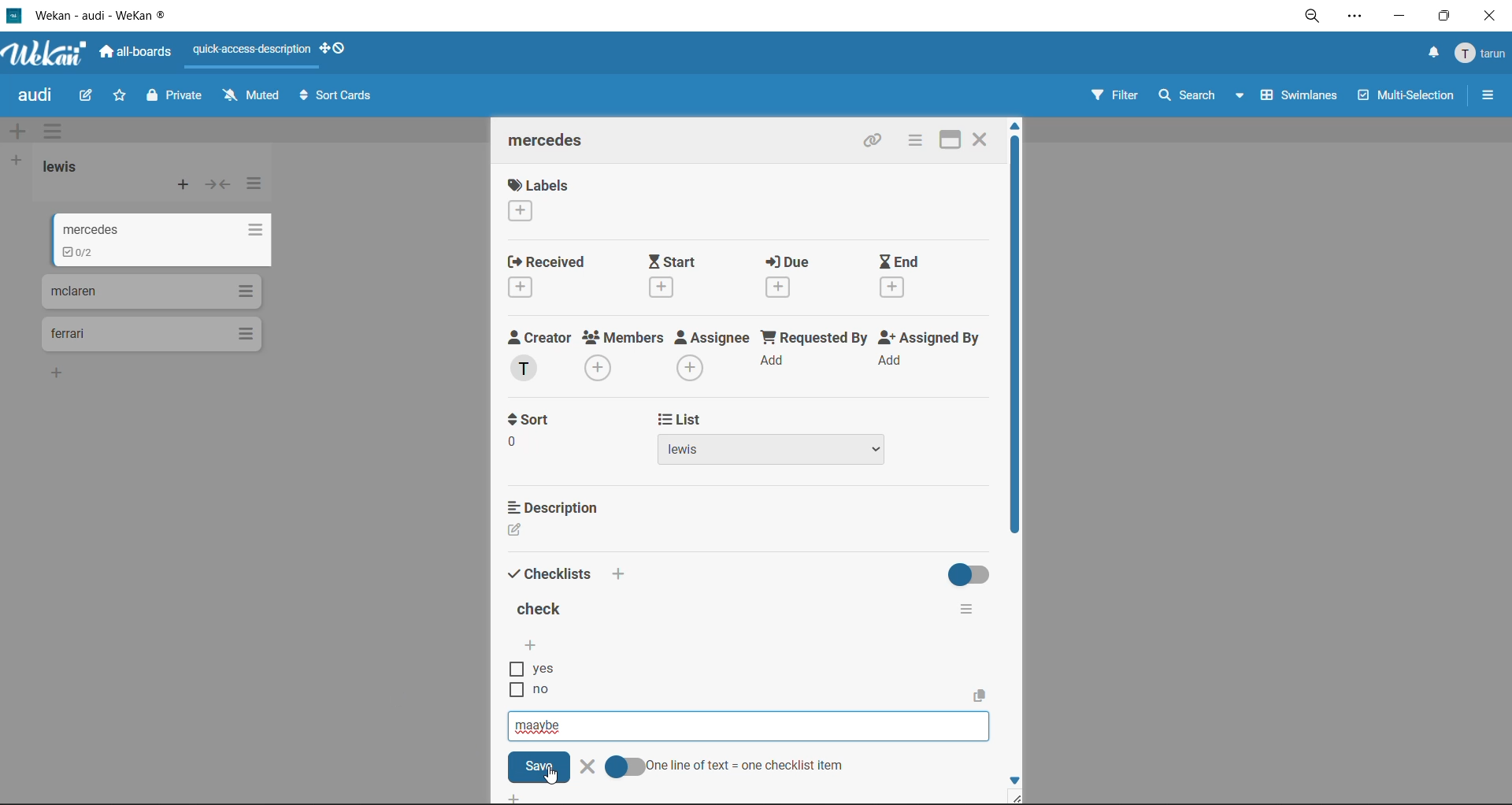 This screenshot has width=1512, height=805. Describe the element at coordinates (136, 53) in the screenshot. I see `all boards` at that location.